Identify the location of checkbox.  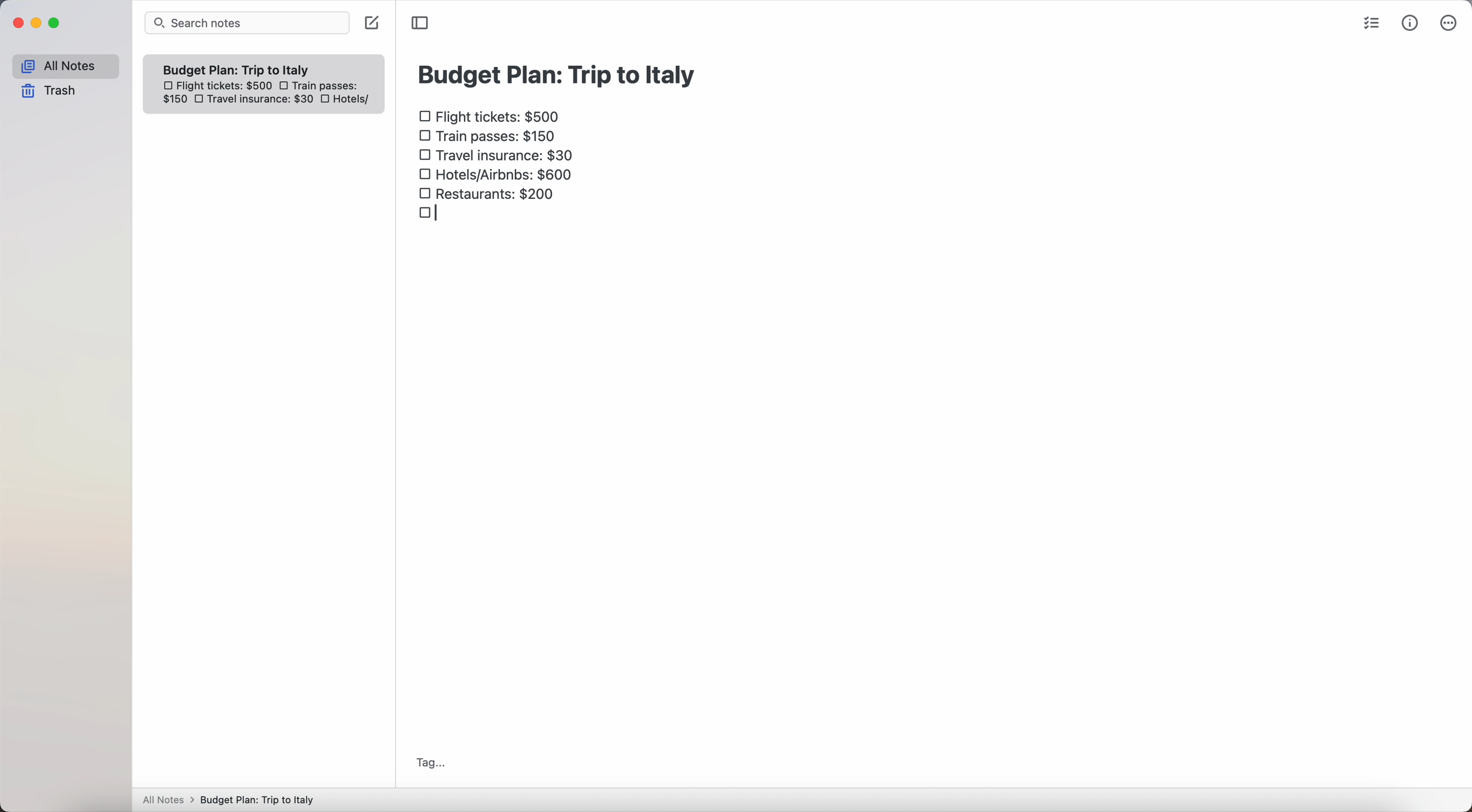
(200, 101).